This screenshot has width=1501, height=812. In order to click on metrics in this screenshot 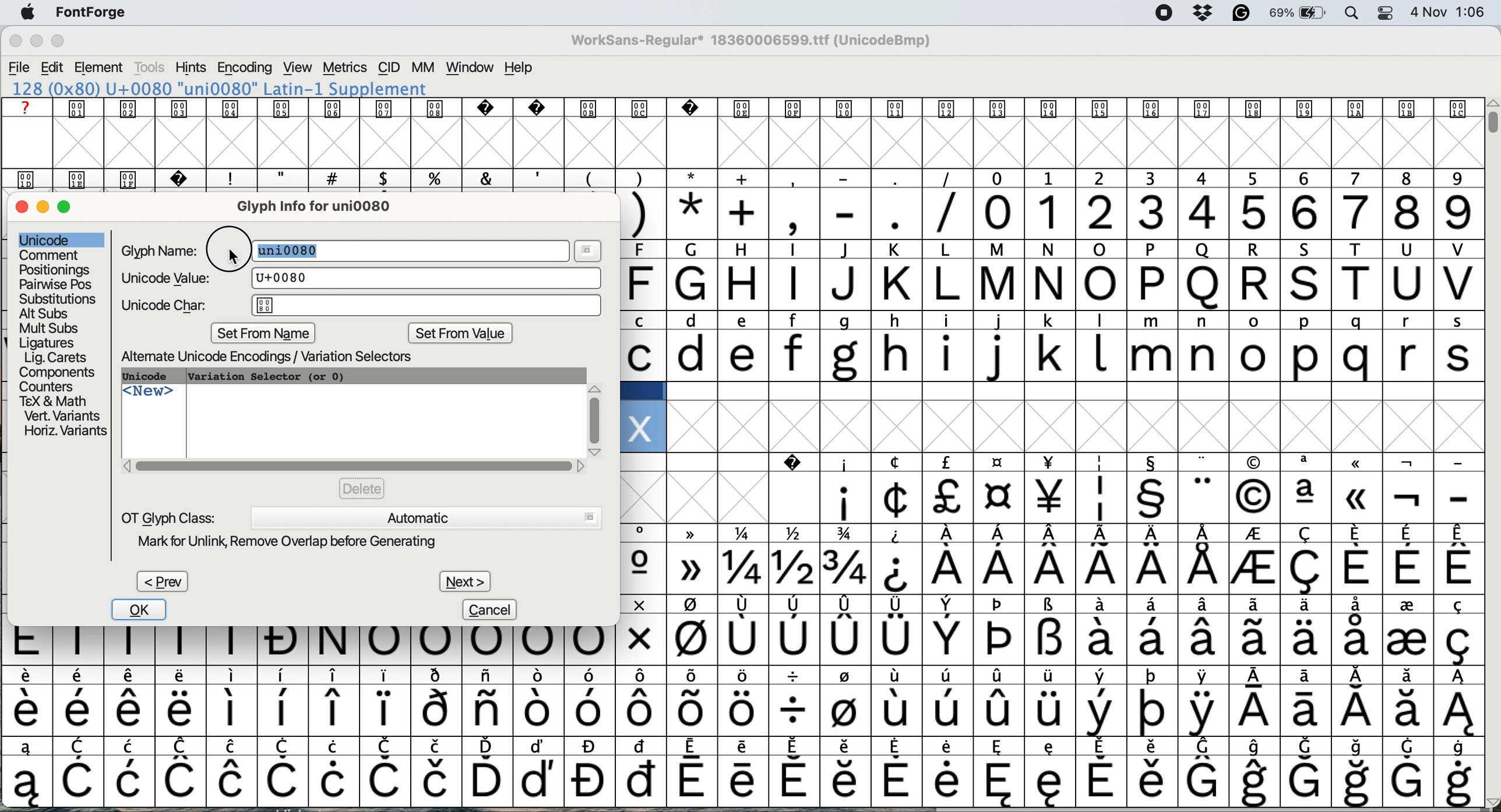, I will do `click(346, 68)`.